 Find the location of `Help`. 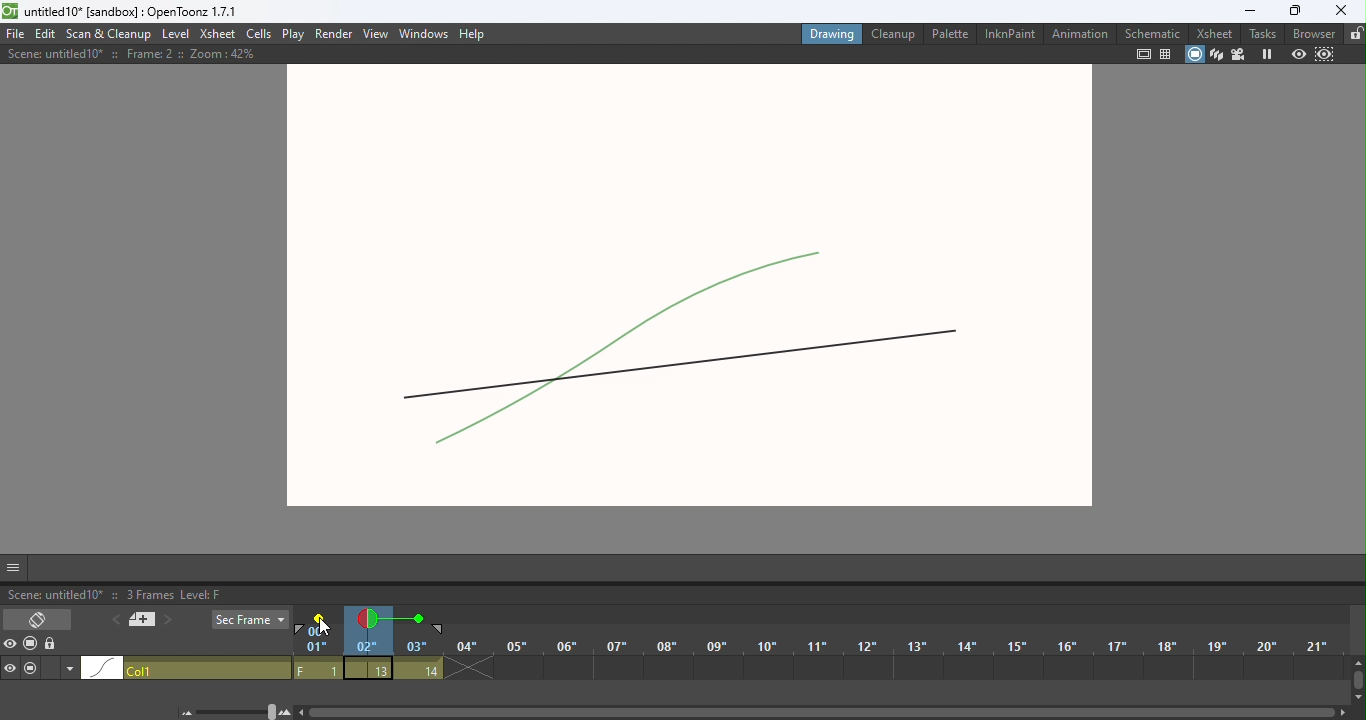

Help is located at coordinates (480, 31).